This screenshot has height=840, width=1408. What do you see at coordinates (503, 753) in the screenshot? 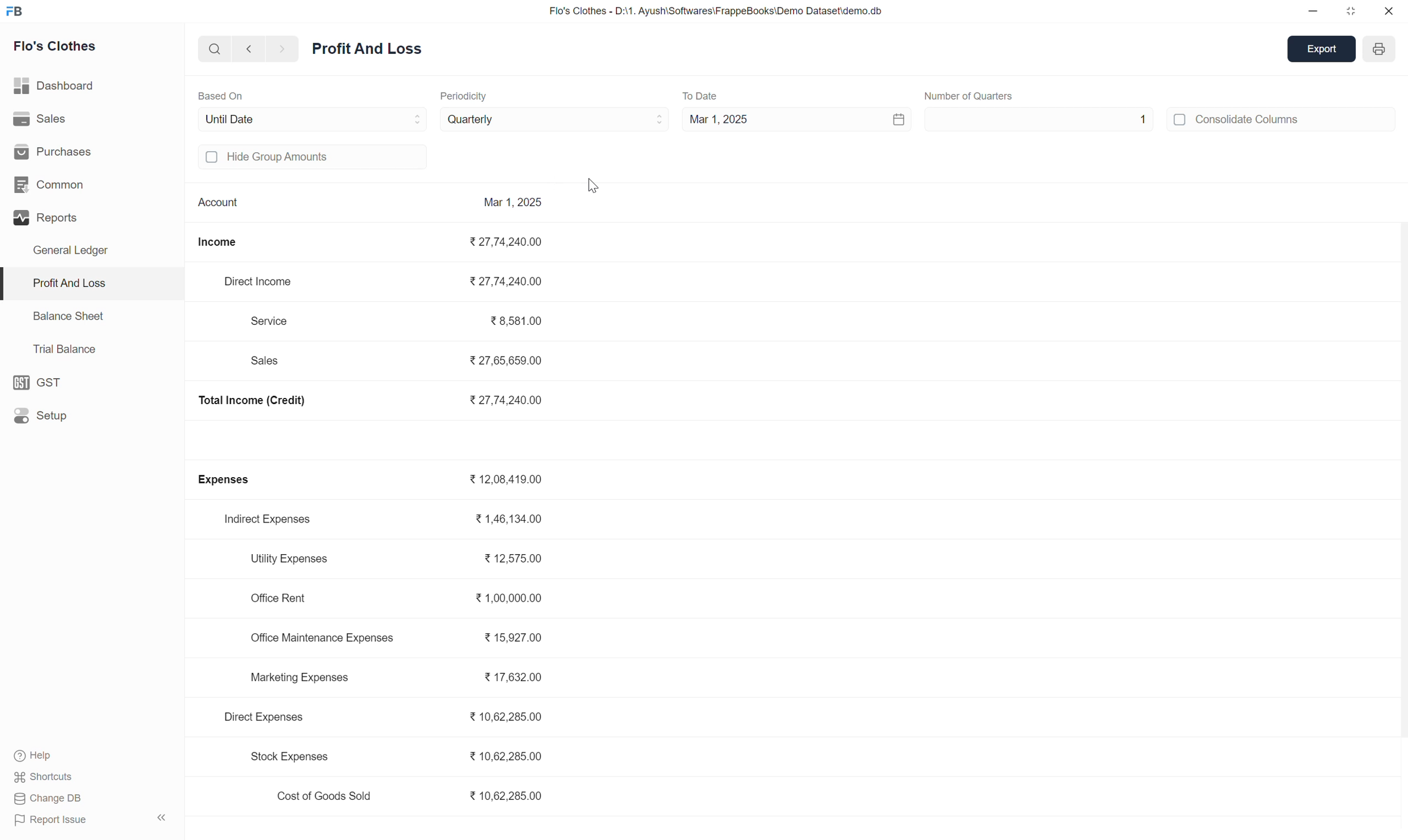
I see `₹10,62,285.00` at bounding box center [503, 753].